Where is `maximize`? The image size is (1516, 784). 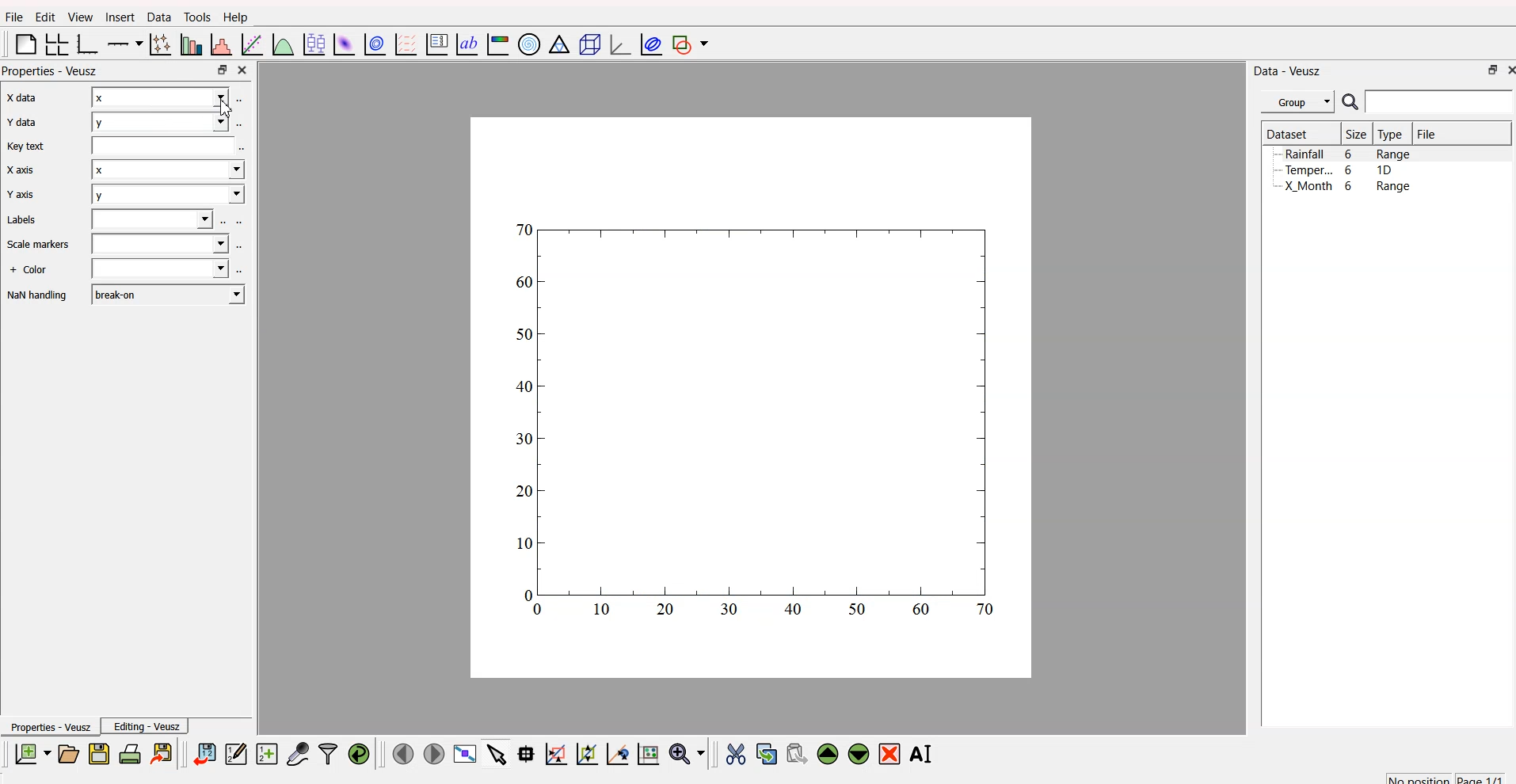 maximize is located at coordinates (221, 70).